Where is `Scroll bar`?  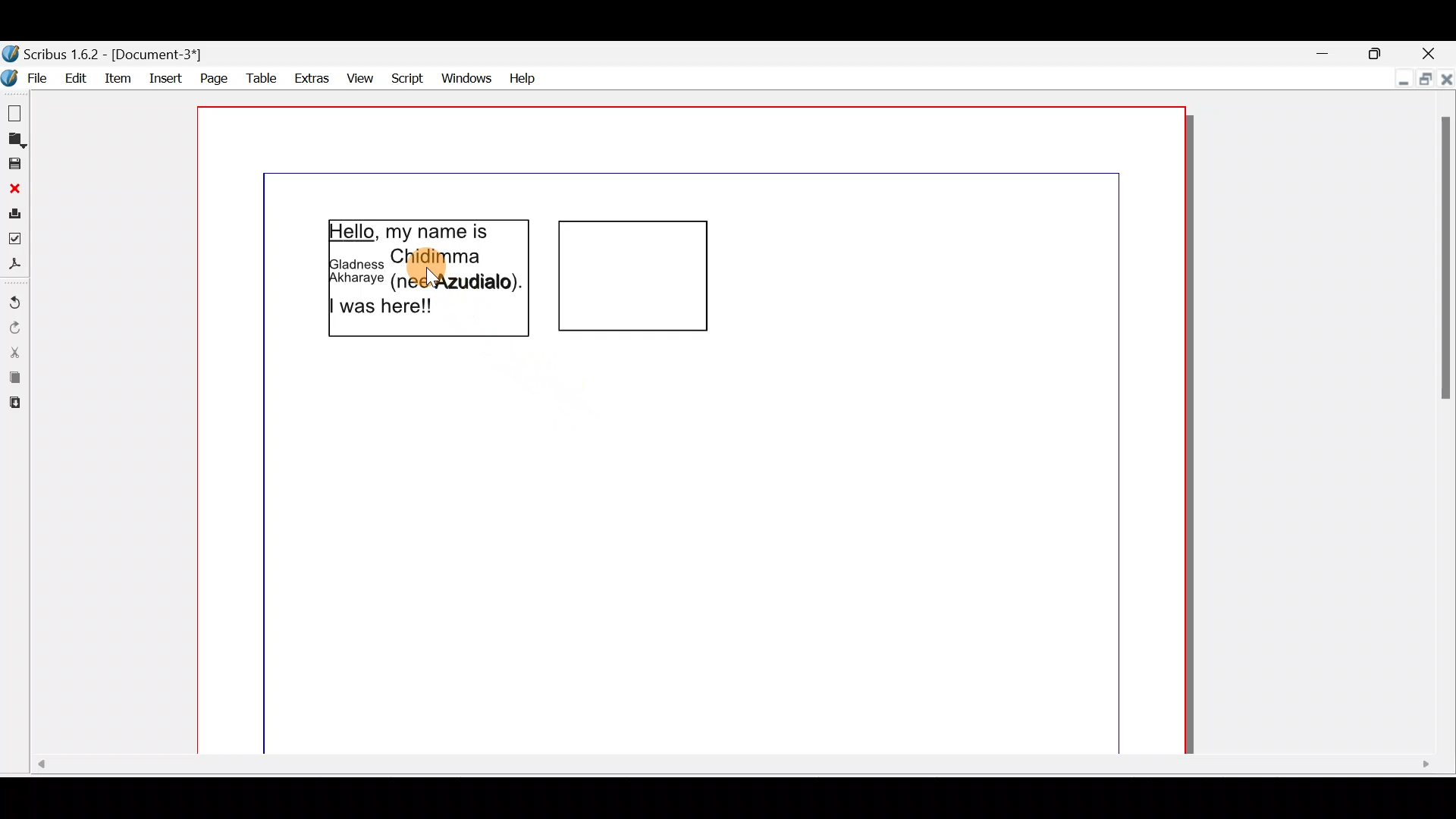
Scroll bar is located at coordinates (1442, 425).